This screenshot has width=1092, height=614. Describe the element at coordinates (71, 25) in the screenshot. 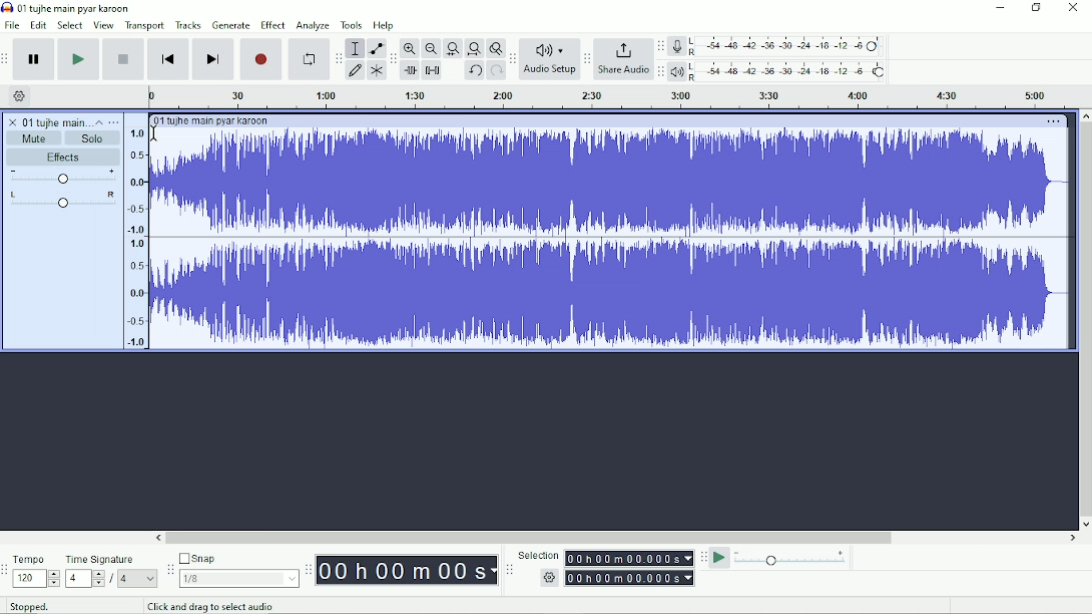

I see `Select` at that location.